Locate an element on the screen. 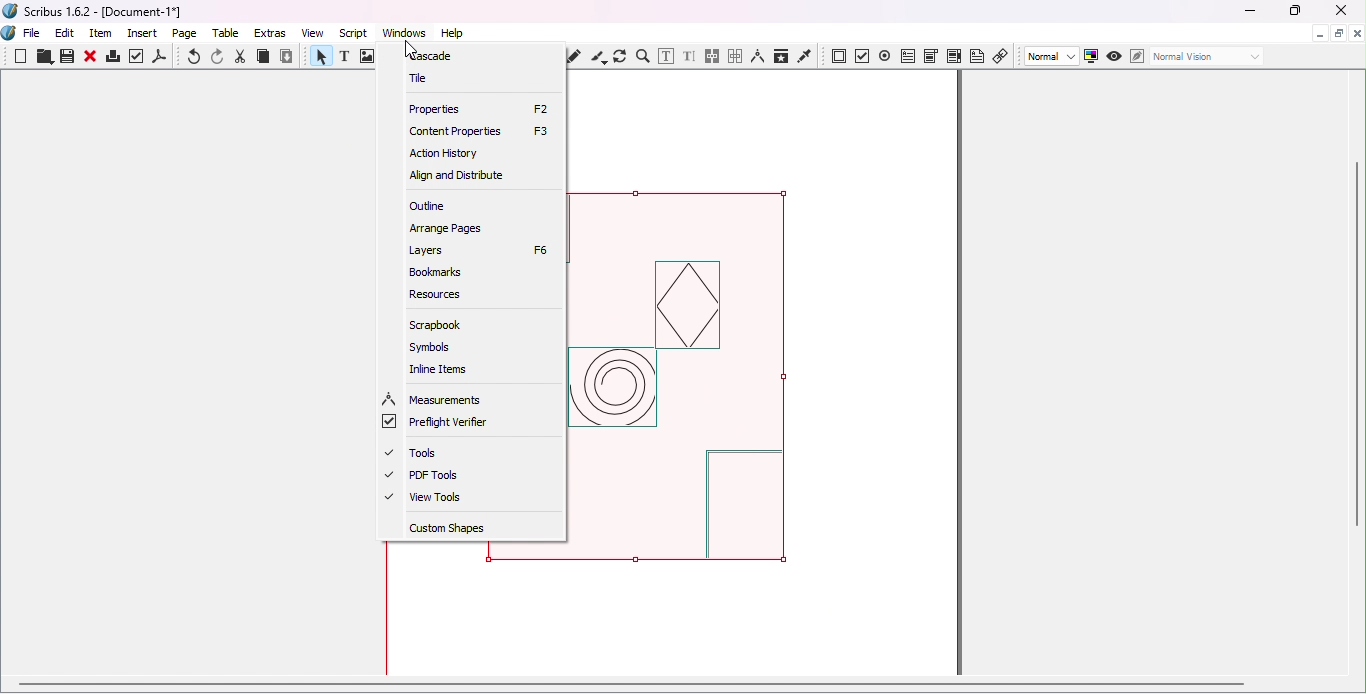 The width and height of the screenshot is (1366, 694). Cursor is located at coordinates (415, 42).